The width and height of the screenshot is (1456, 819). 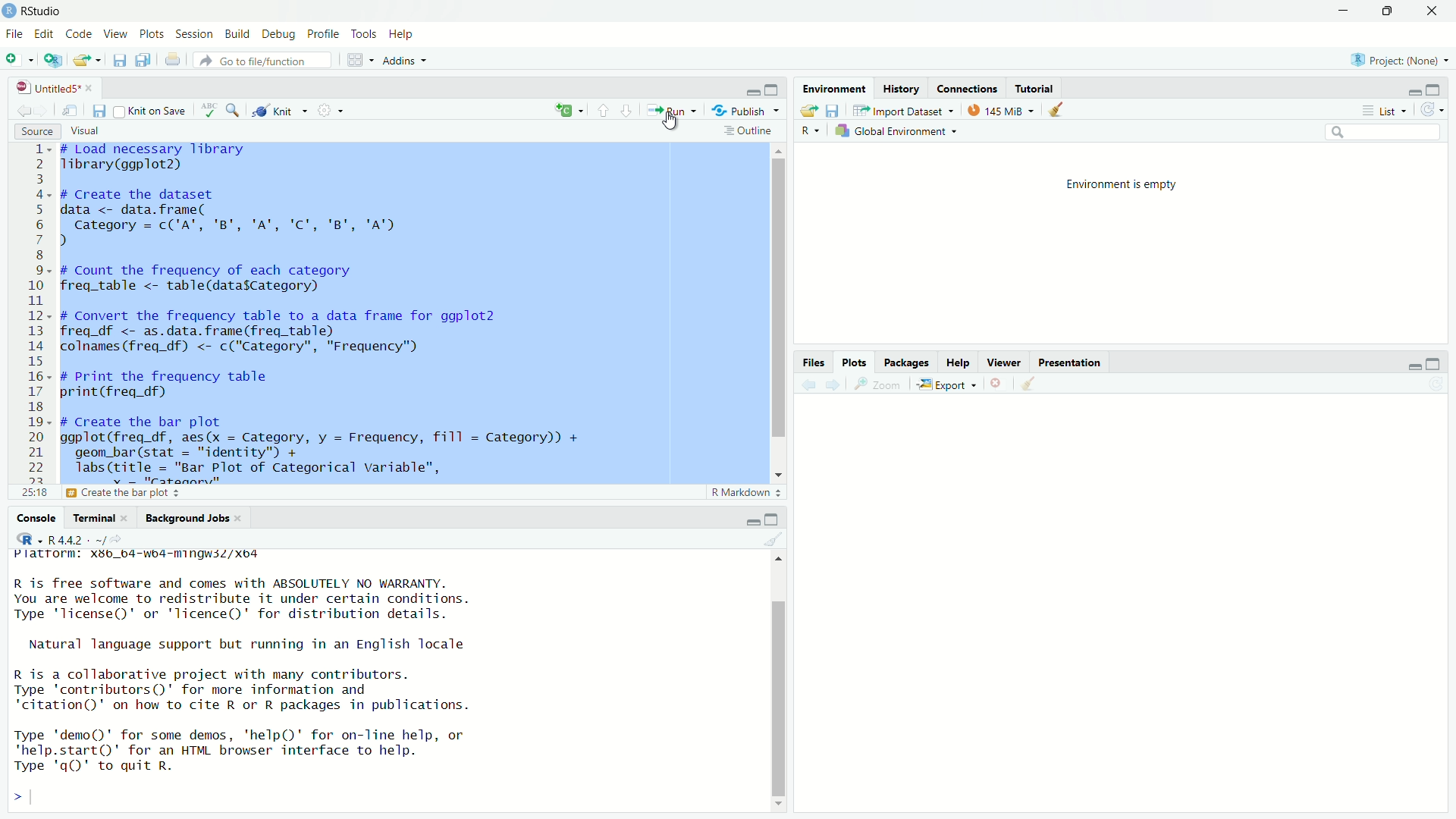 What do you see at coordinates (811, 131) in the screenshot?
I see `R dropdown` at bounding box center [811, 131].